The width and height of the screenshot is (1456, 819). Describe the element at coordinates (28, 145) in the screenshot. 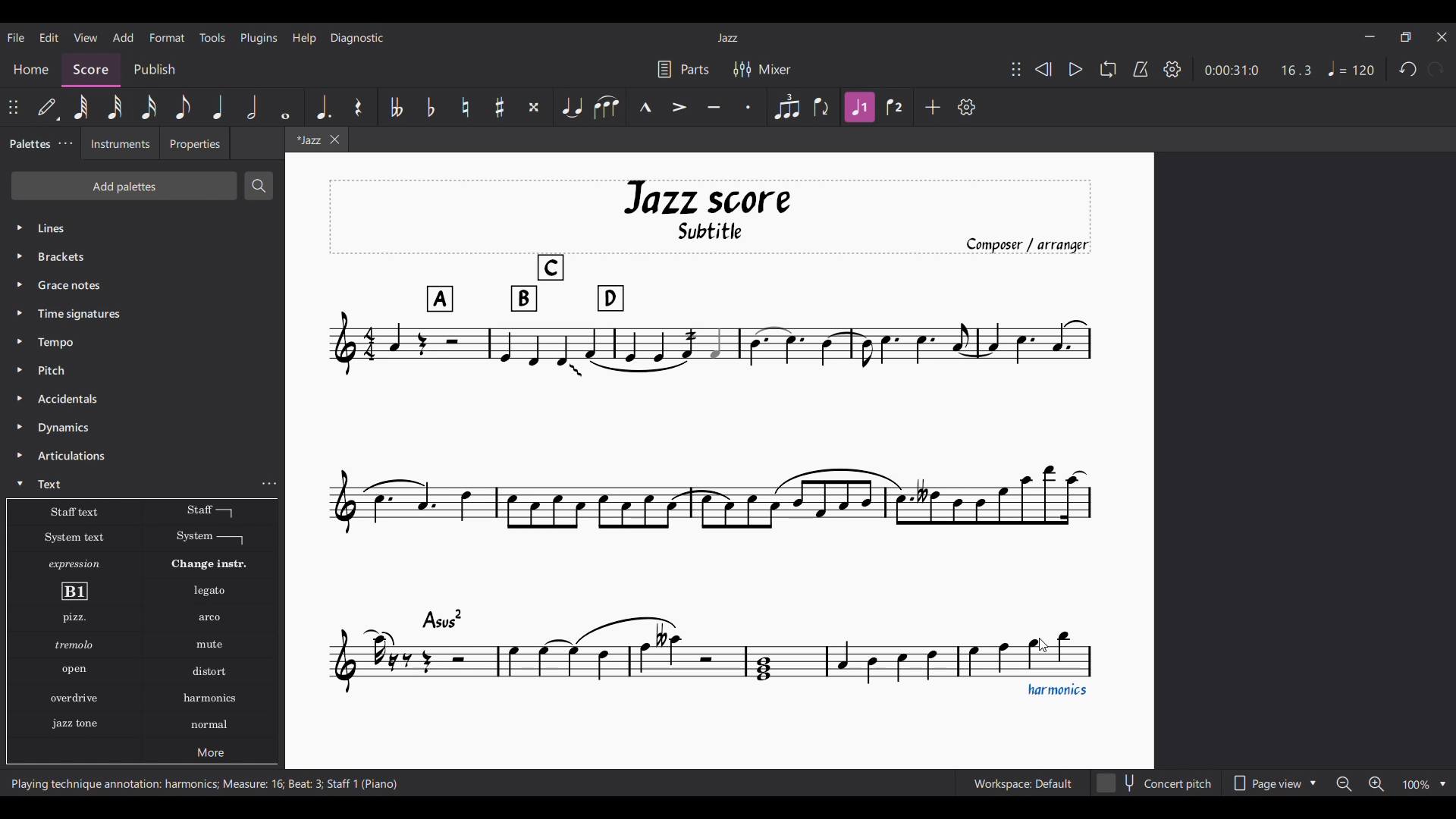

I see `Palettes` at that location.